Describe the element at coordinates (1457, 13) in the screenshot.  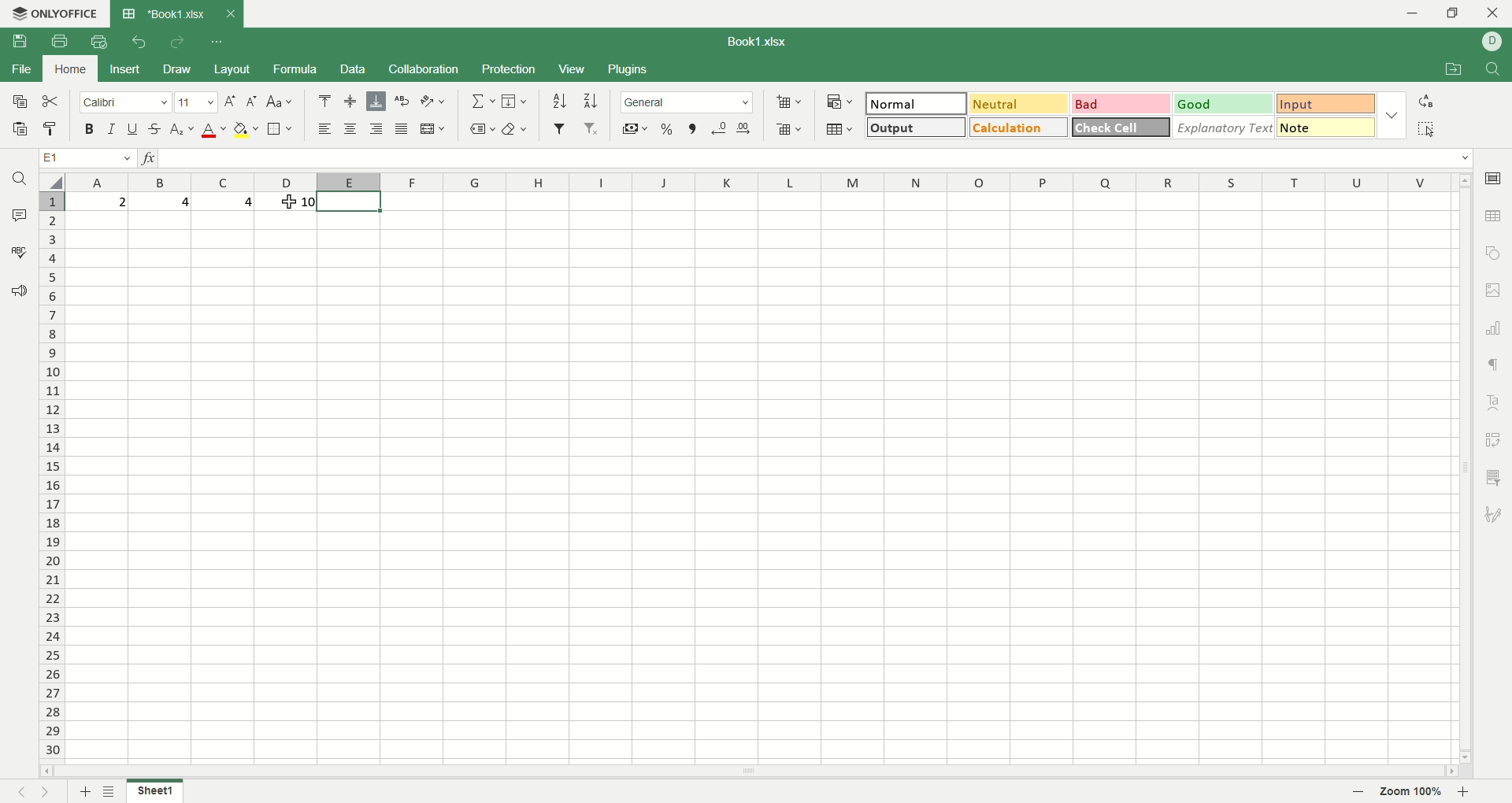
I see `maximize` at that location.